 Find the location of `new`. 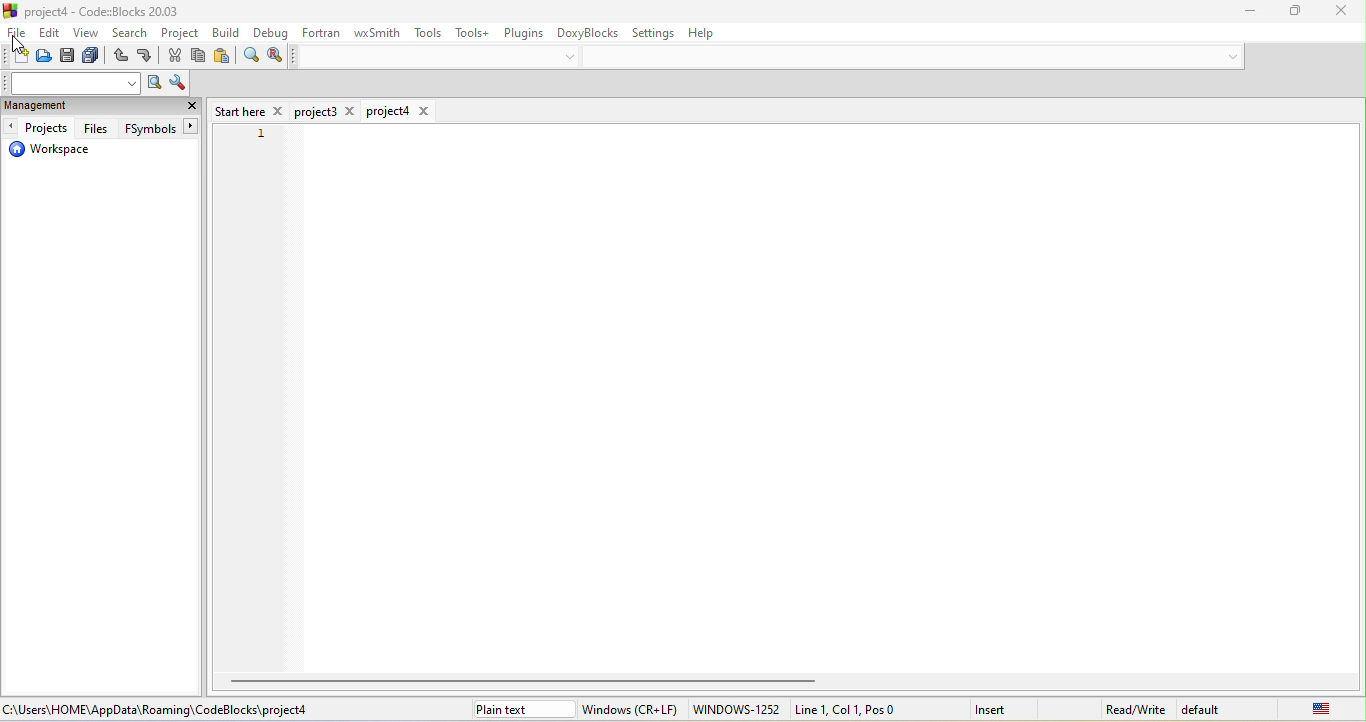

new is located at coordinates (17, 56).